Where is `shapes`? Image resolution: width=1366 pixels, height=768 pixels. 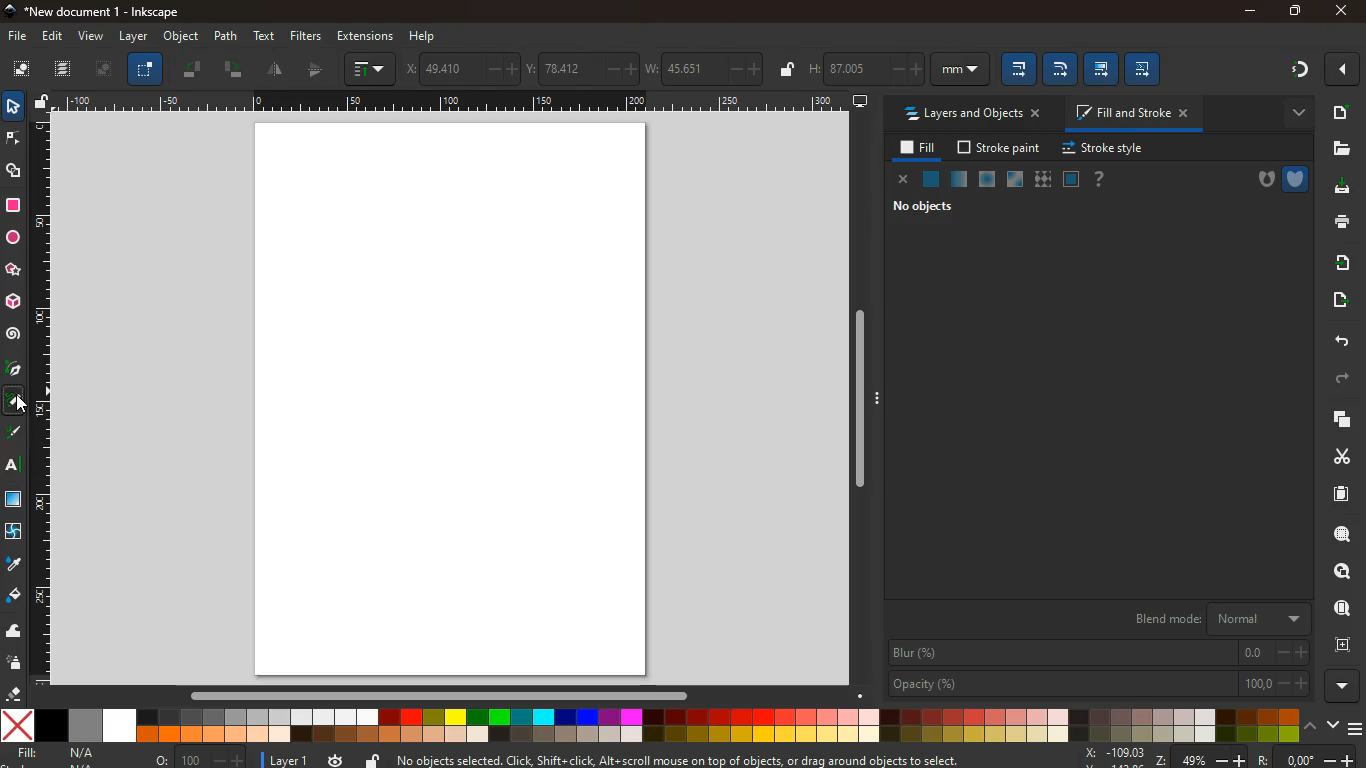
shapes is located at coordinates (15, 172).